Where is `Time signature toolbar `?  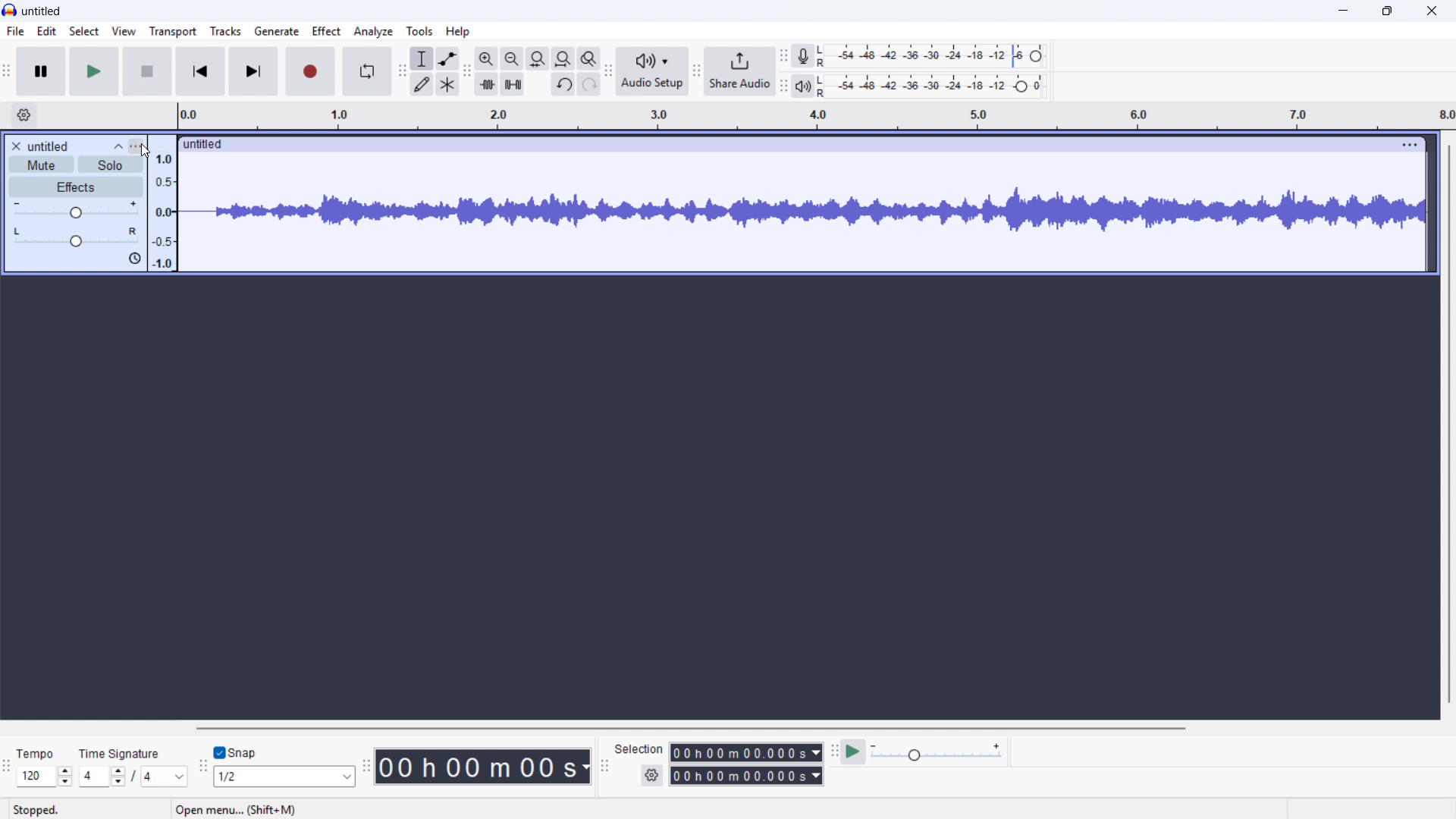 Time signature toolbar  is located at coordinates (8, 767).